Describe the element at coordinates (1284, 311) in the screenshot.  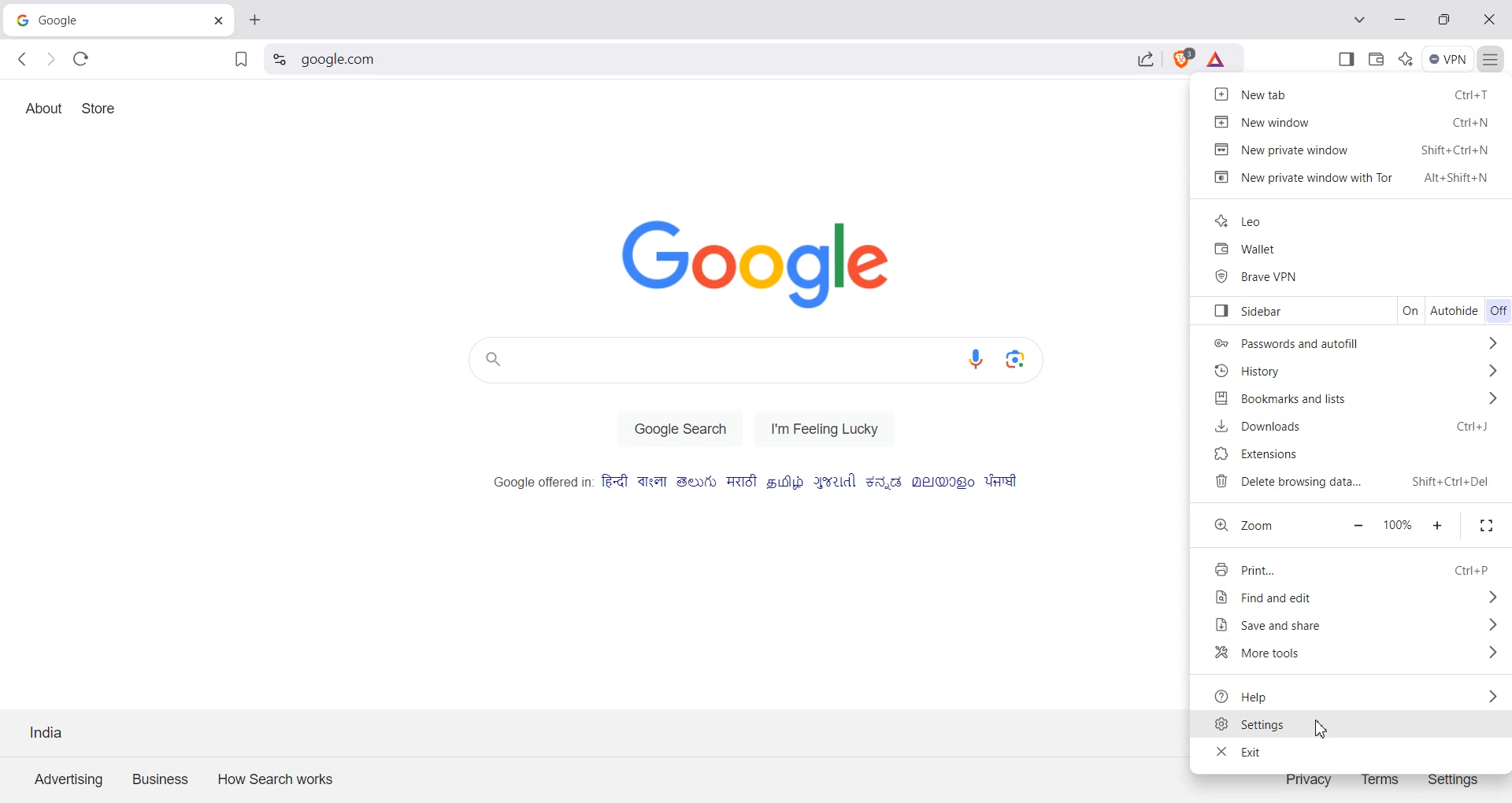
I see `Sidebar` at that location.